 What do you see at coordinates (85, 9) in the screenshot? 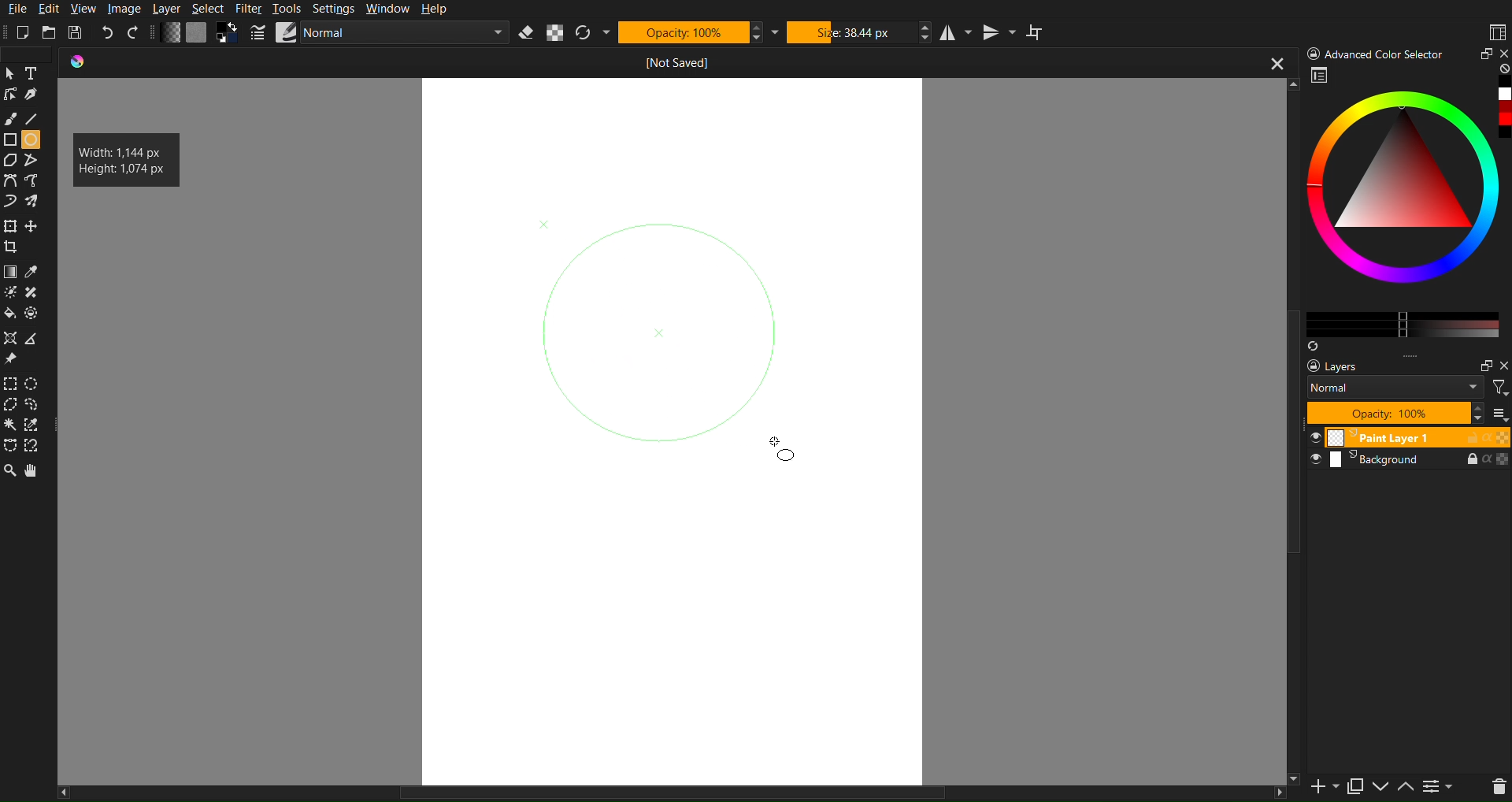
I see `View` at bounding box center [85, 9].